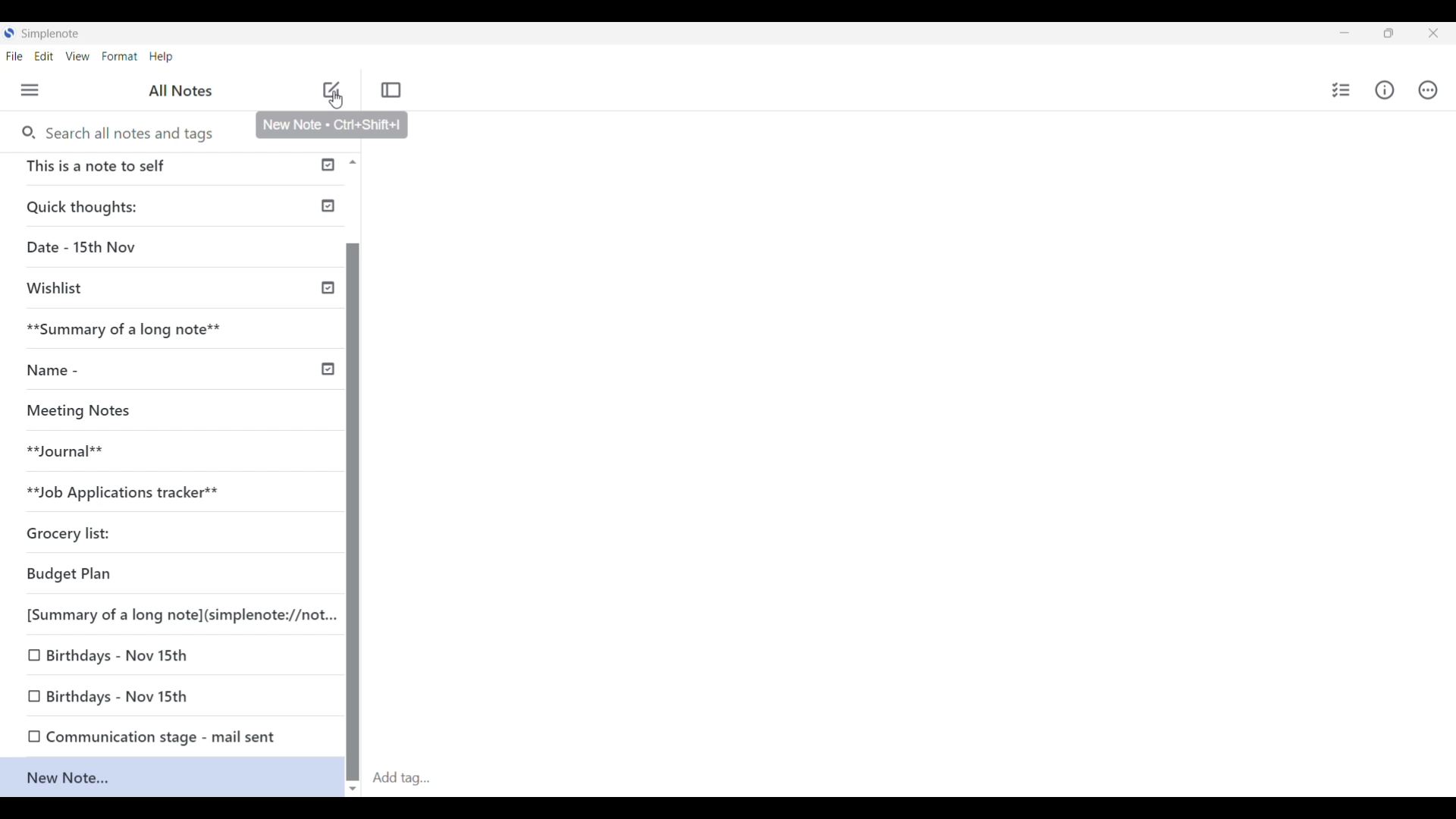 The width and height of the screenshot is (1456, 819). What do you see at coordinates (143, 168) in the screenshot?
I see `This is a note to self` at bounding box center [143, 168].